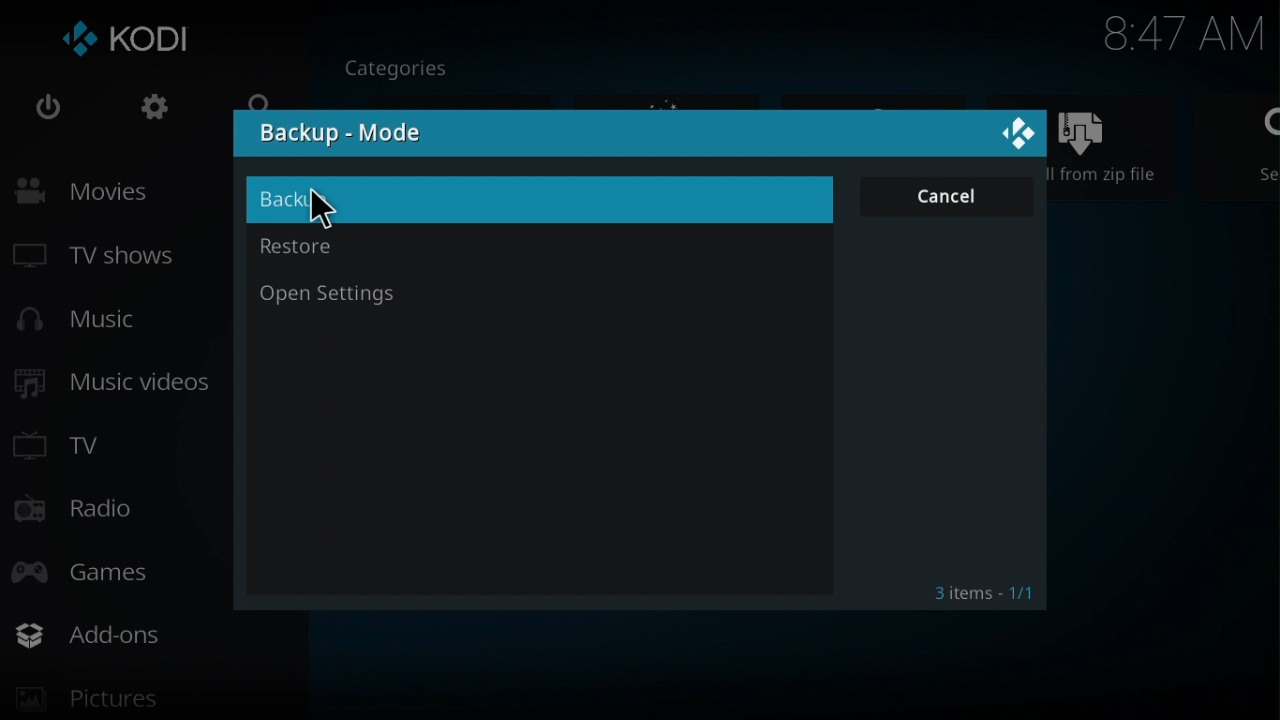 The width and height of the screenshot is (1280, 720). What do you see at coordinates (114, 259) in the screenshot?
I see `TV shows` at bounding box center [114, 259].